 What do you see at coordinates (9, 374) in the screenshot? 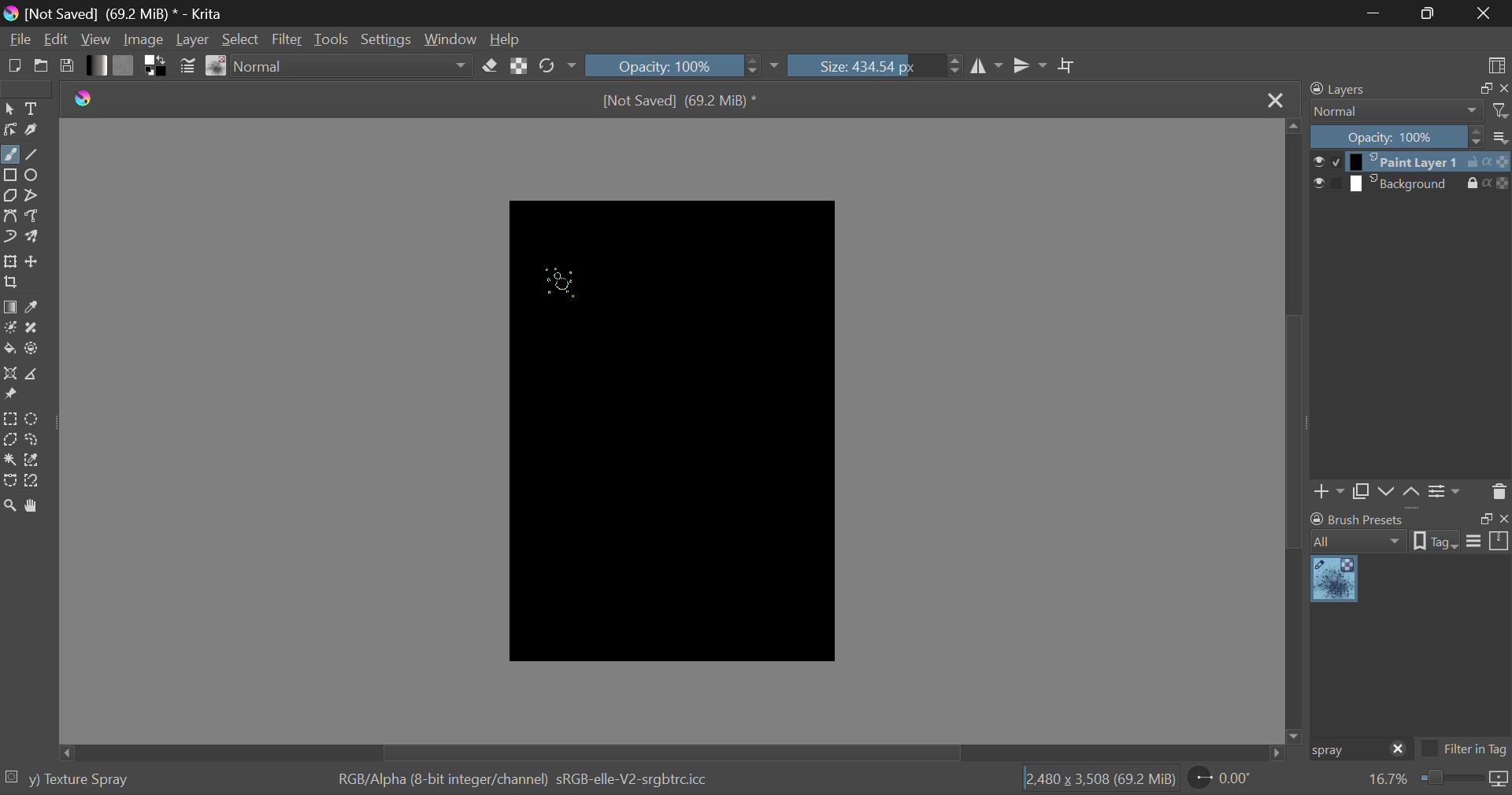
I see `Assistant Tool` at bounding box center [9, 374].